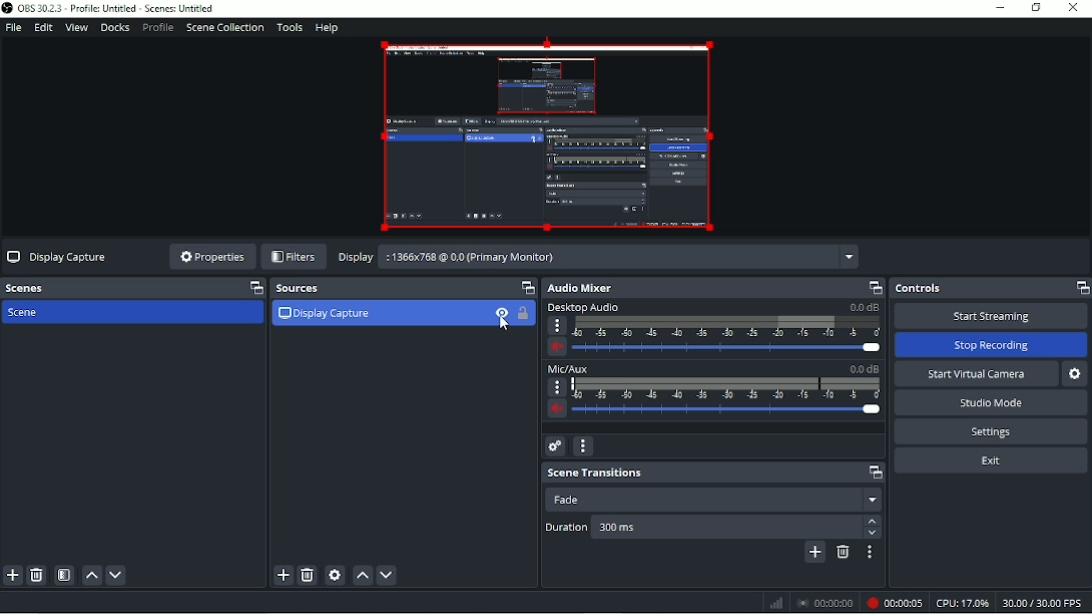 The image size is (1092, 614). What do you see at coordinates (713, 287) in the screenshot?
I see `Audio mixer` at bounding box center [713, 287].